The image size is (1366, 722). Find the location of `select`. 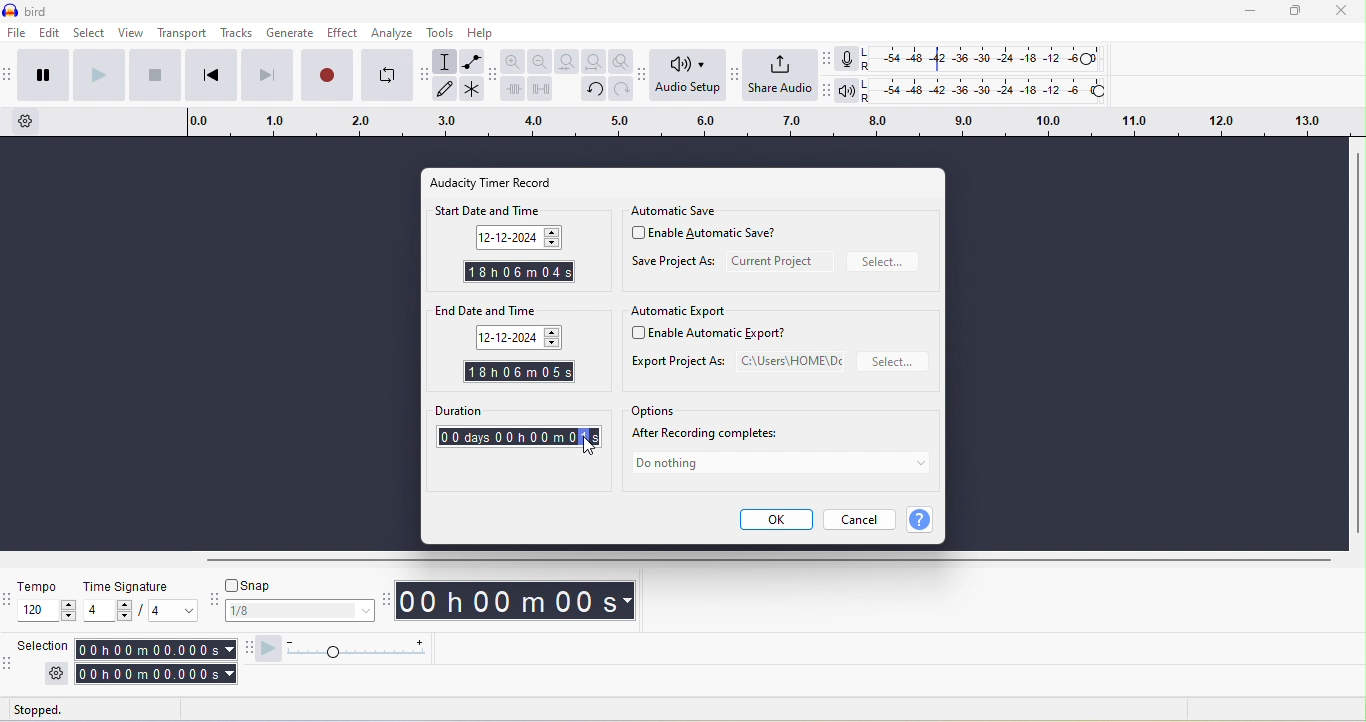

select is located at coordinates (886, 262).